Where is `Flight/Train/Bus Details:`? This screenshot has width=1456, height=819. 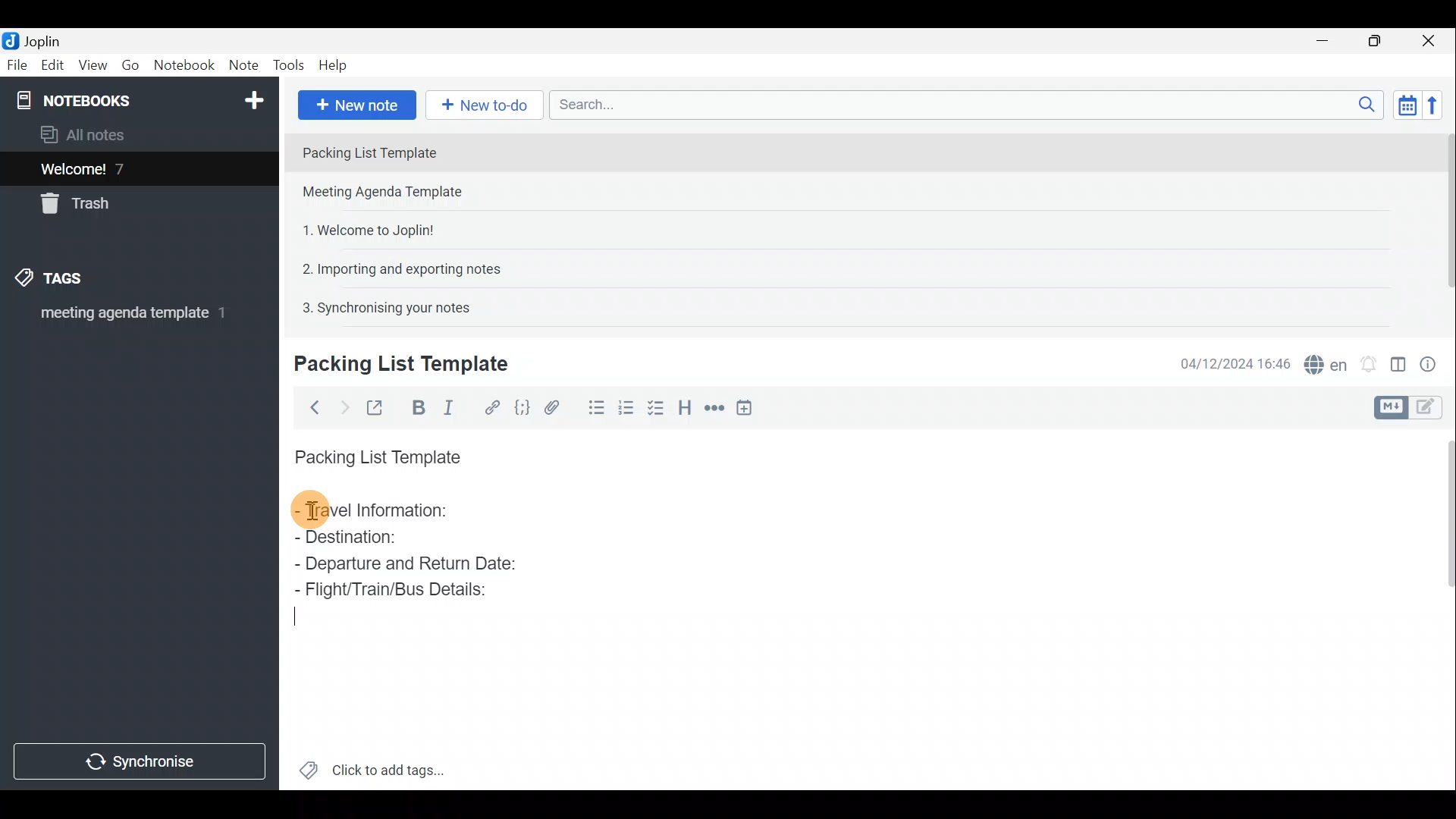 Flight/Train/Bus Details: is located at coordinates (395, 591).